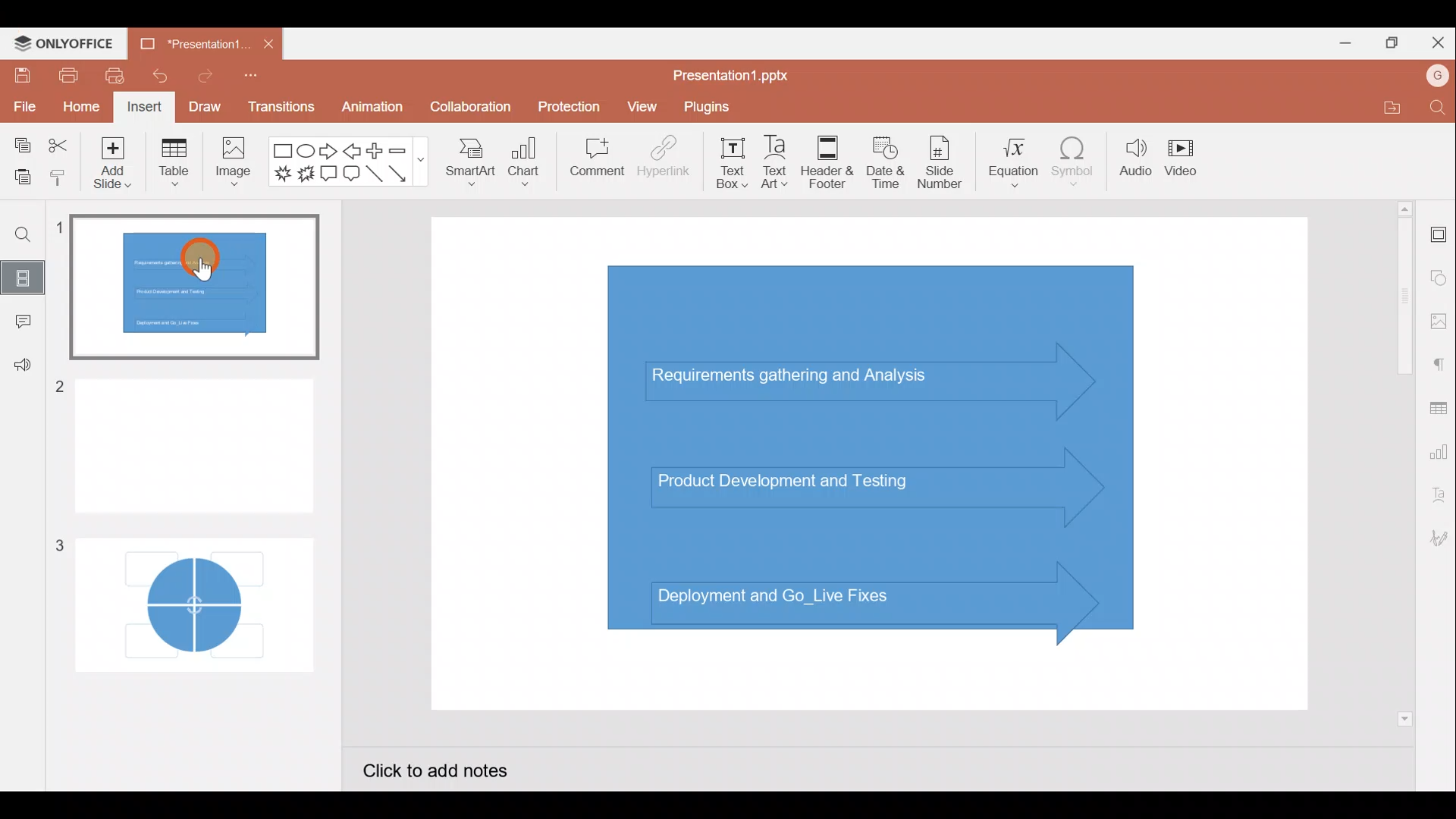 Image resolution: width=1456 pixels, height=819 pixels. I want to click on Signature settings, so click(1436, 538).